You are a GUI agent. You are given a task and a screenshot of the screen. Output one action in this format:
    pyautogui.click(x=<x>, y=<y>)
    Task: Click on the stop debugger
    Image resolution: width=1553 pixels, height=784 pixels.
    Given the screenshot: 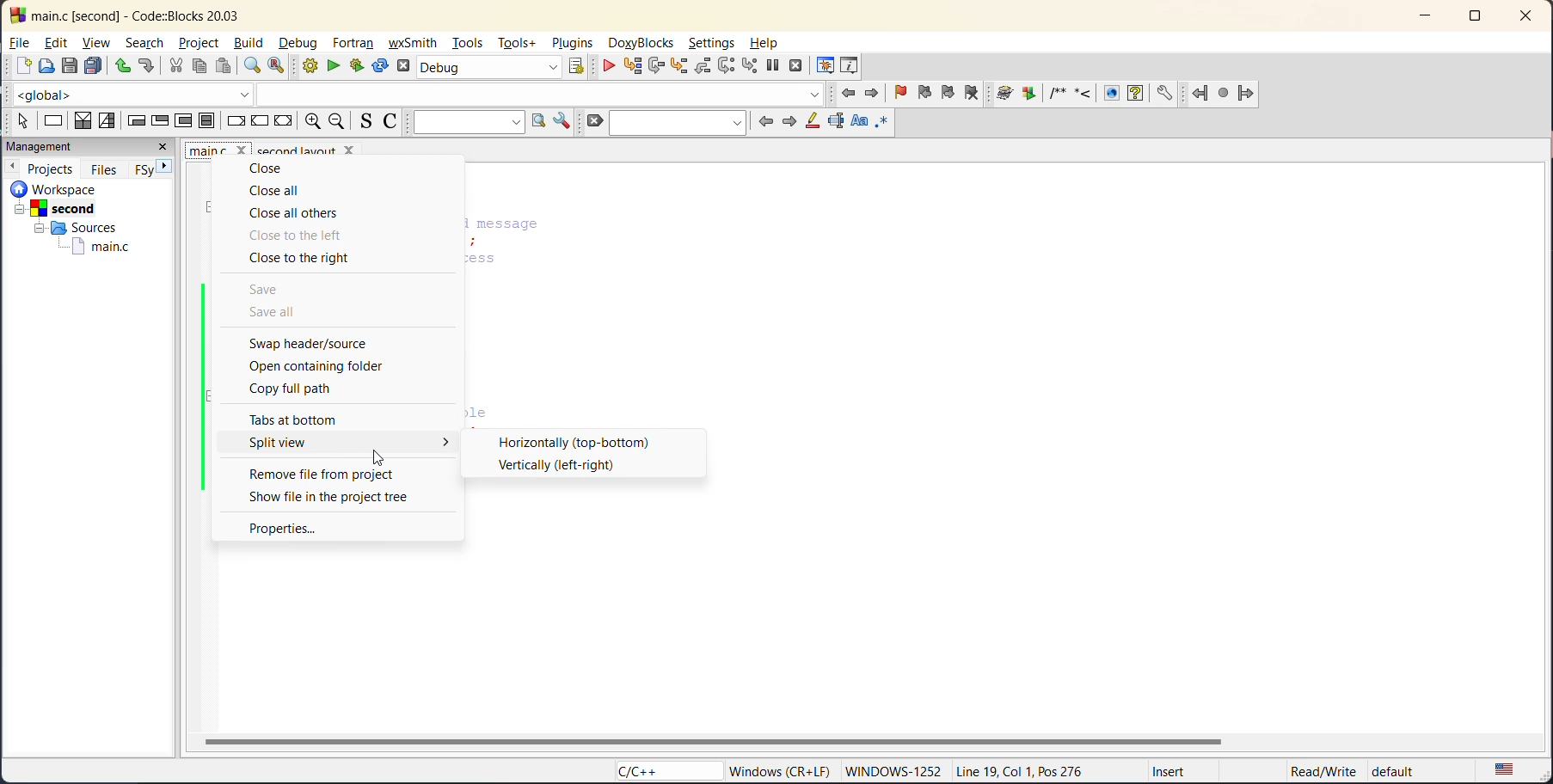 What is the action you would take?
    pyautogui.click(x=796, y=67)
    